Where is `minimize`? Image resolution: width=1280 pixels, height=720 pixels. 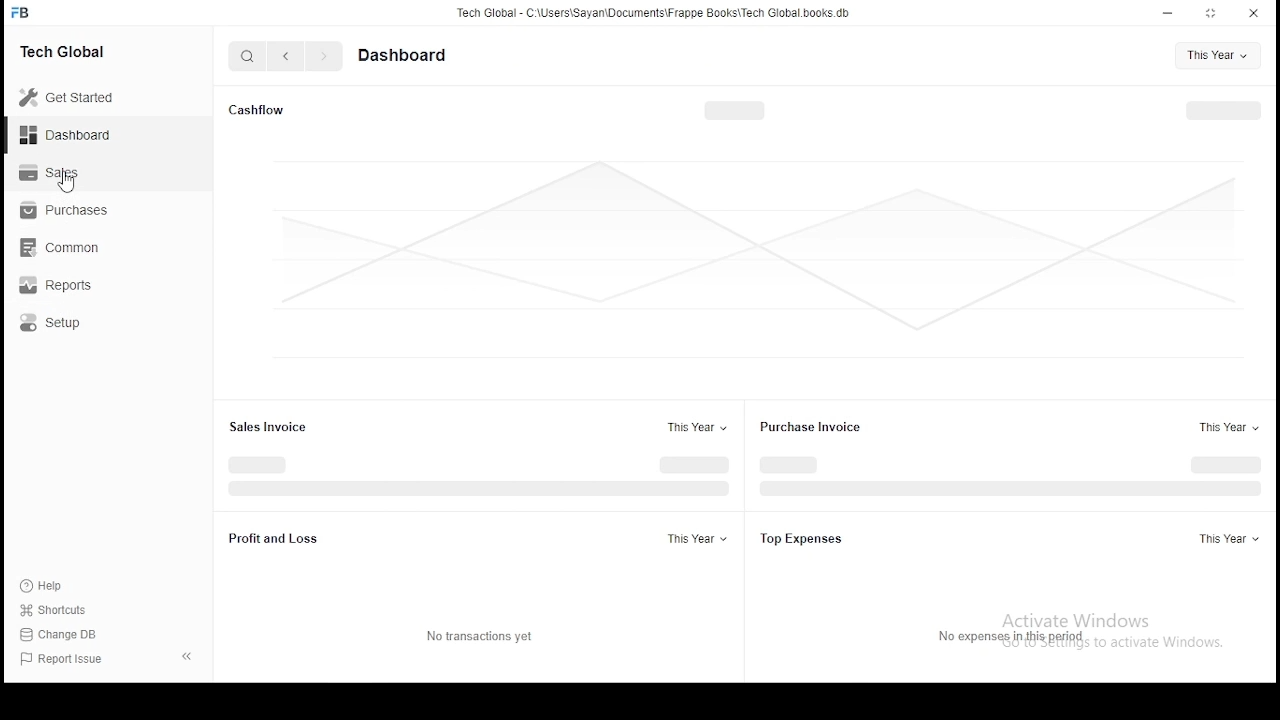 minimize is located at coordinates (1169, 13).